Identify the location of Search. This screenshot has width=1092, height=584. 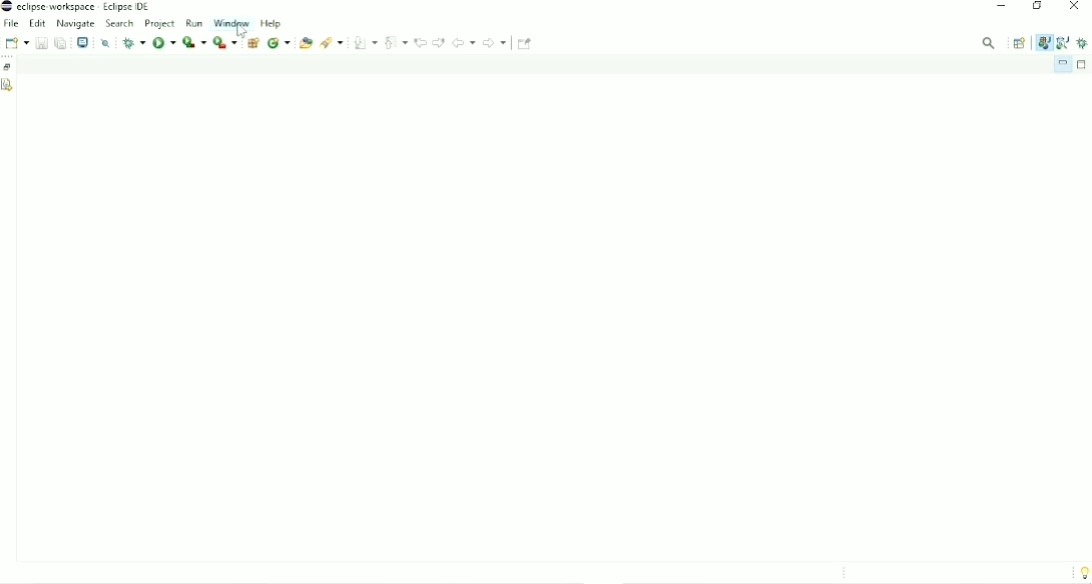
(333, 43).